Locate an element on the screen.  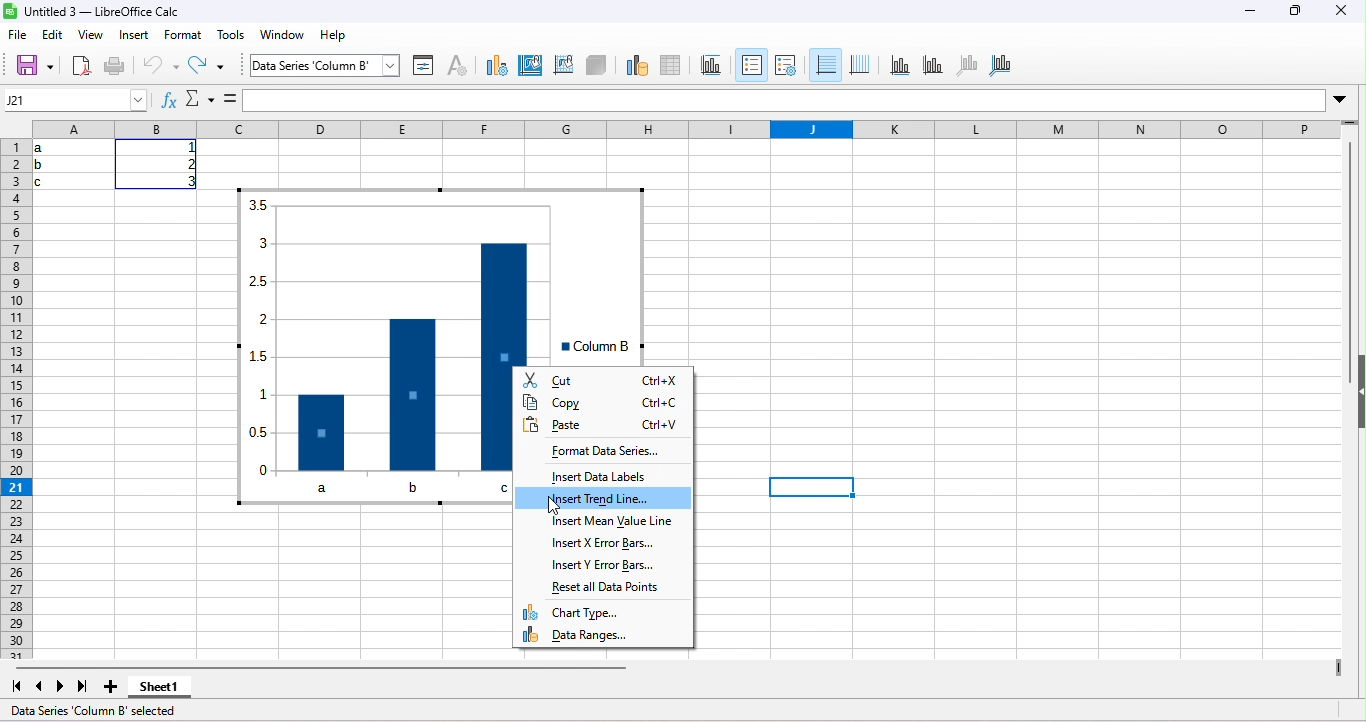
wall is located at coordinates (563, 67).